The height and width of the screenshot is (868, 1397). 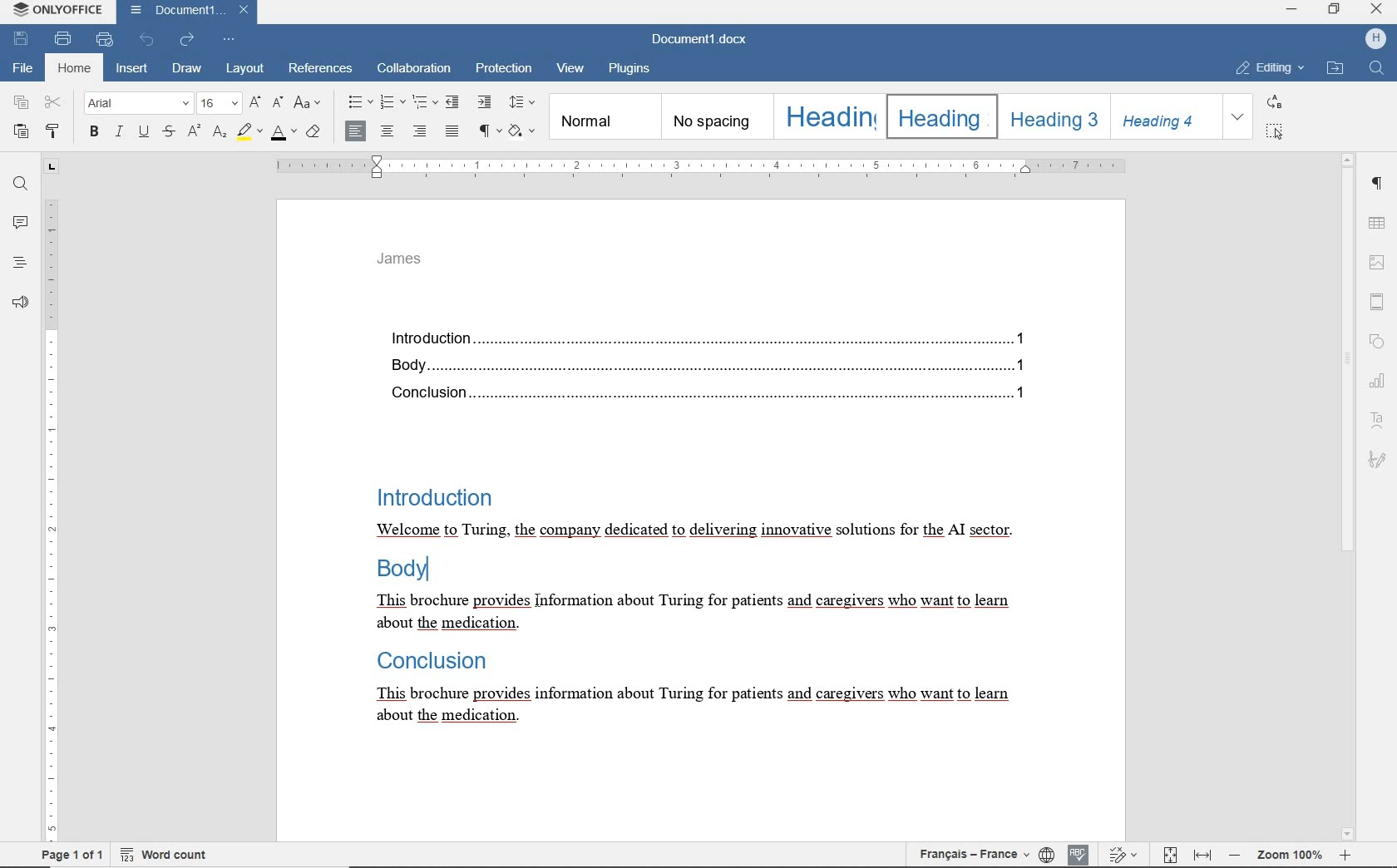 I want to click on SELECT ALL, so click(x=1272, y=131).